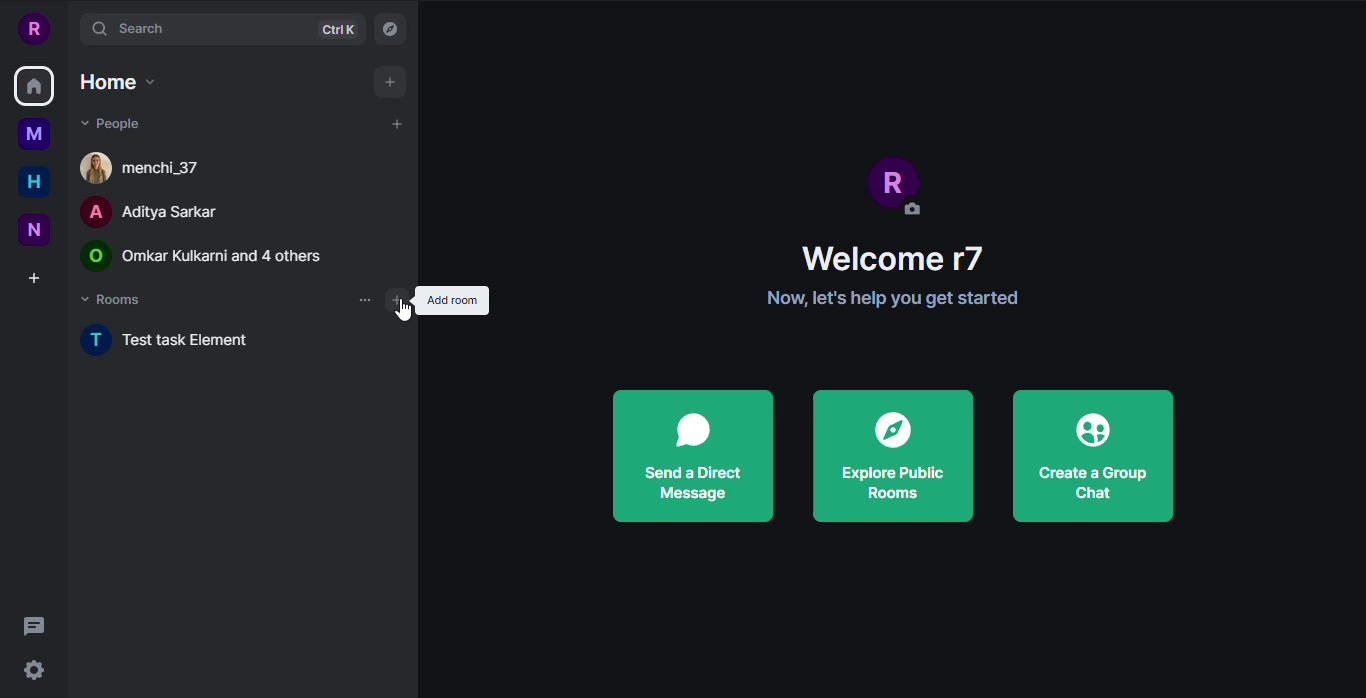 The height and width of the screenshot is (698, 1366). What do you see at coordinates (400, 305) in the screenshot?
I see `Cursor` at bounding box center [400, 305].